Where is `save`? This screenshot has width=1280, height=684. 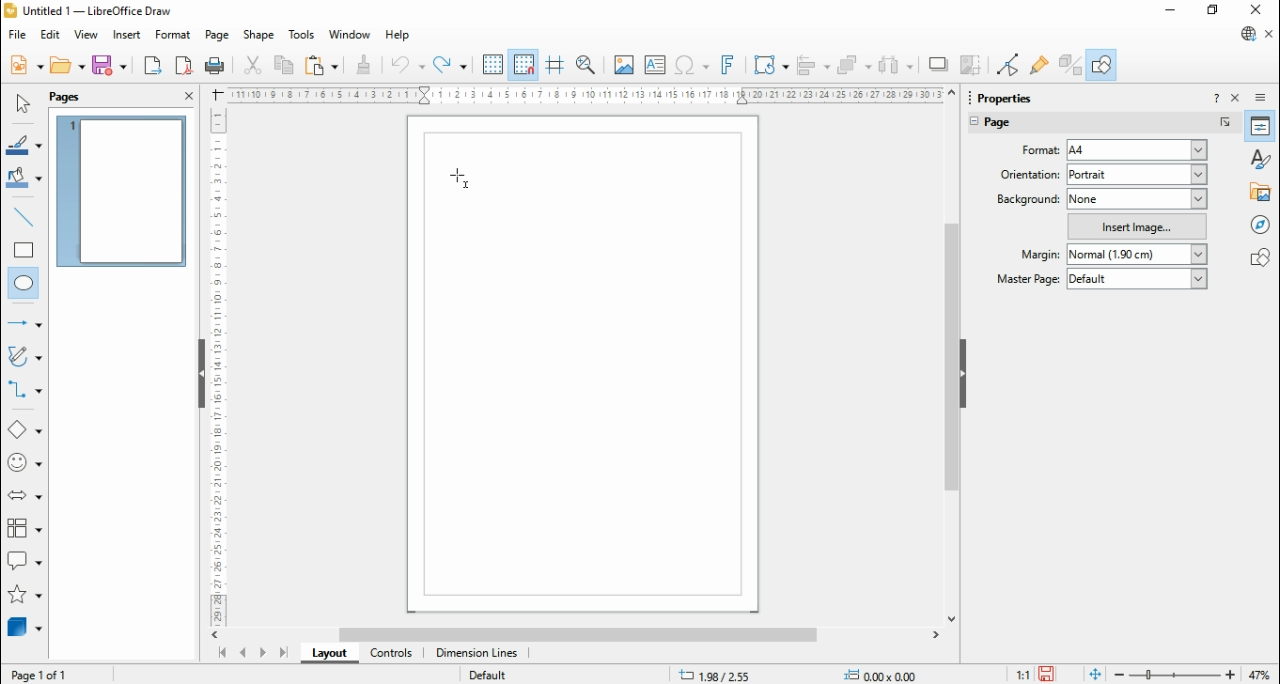
save is located at coordinates (109, 65).